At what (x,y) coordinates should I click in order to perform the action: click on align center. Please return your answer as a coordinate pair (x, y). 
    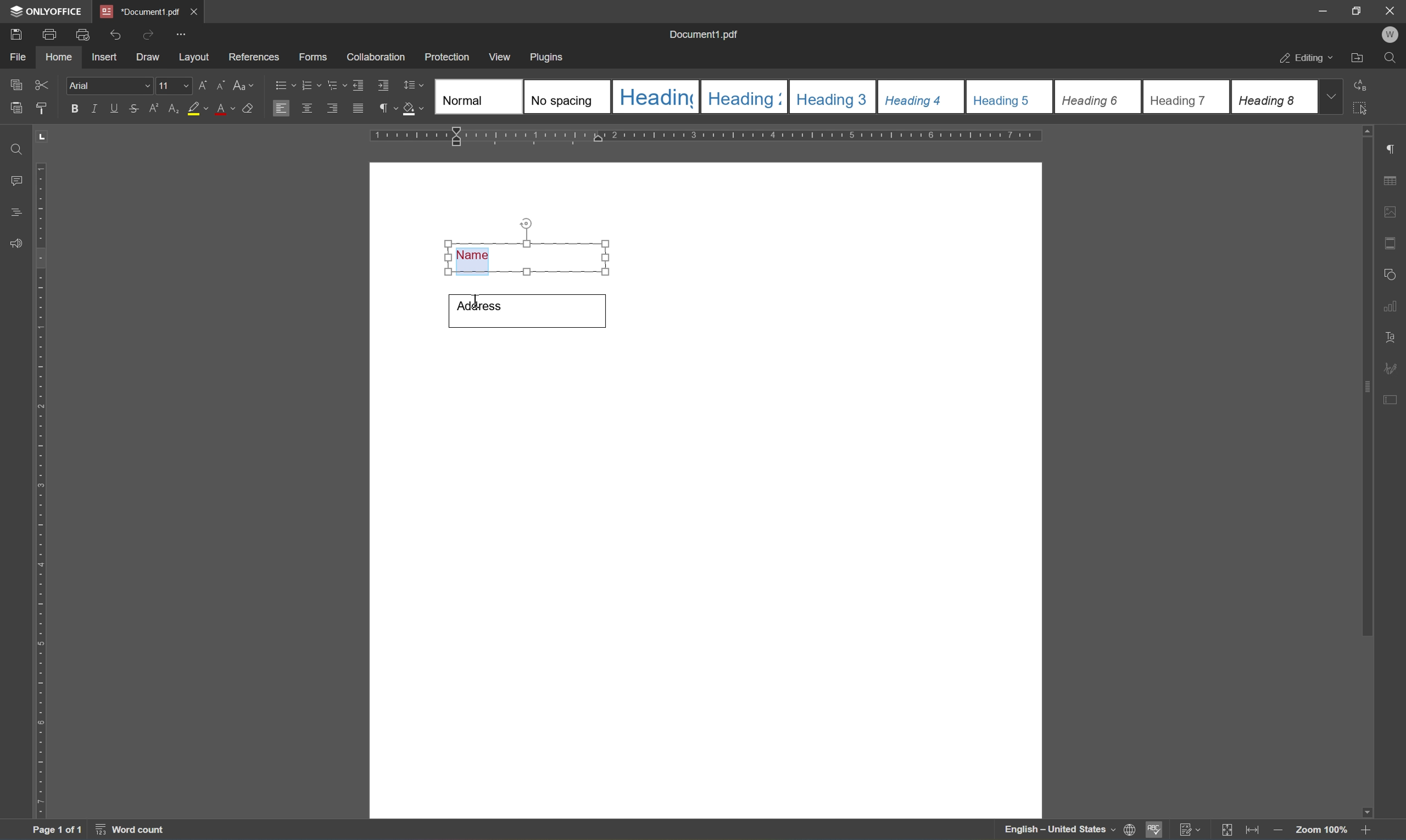
    Looking at the image, I should click on (306, 108).